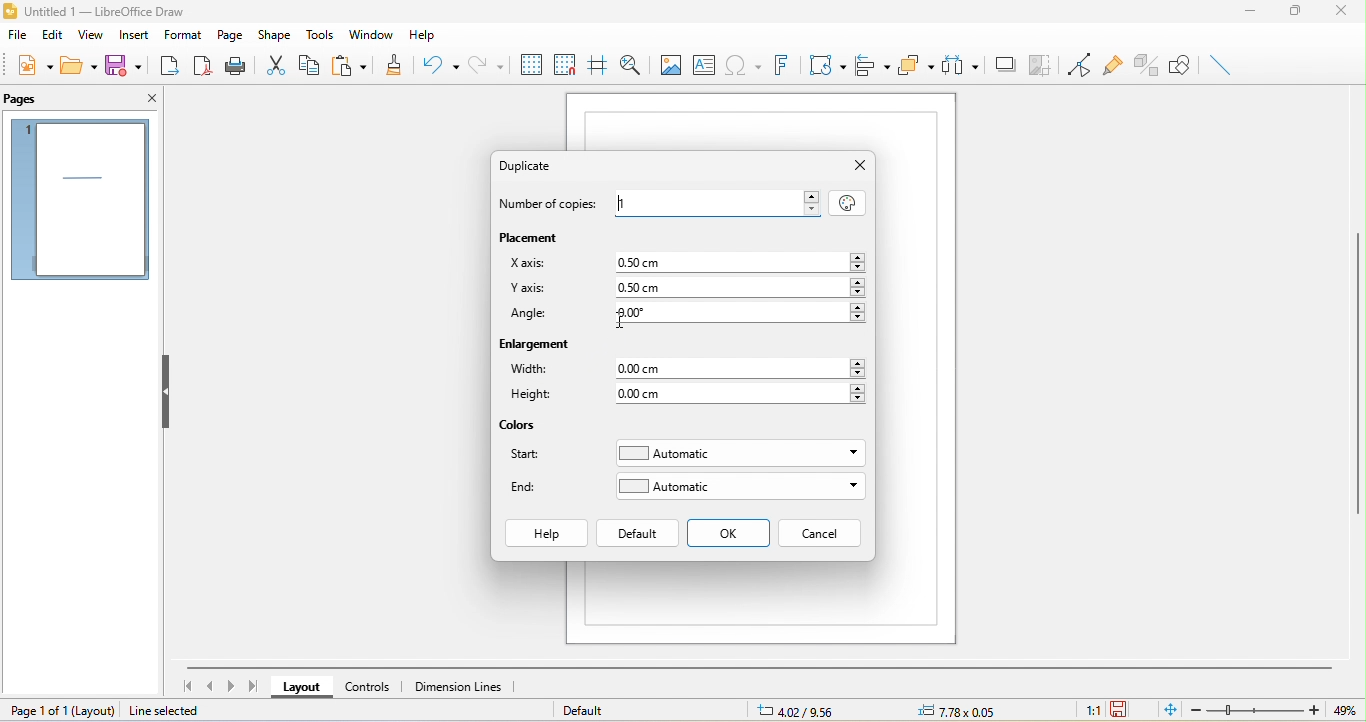 Image resolution: width=1366 pixels, height=722 pixels. What do you see at coordinates (528, 262) in the screenshot?
I see `x axis` at bounding box center [528, 262].